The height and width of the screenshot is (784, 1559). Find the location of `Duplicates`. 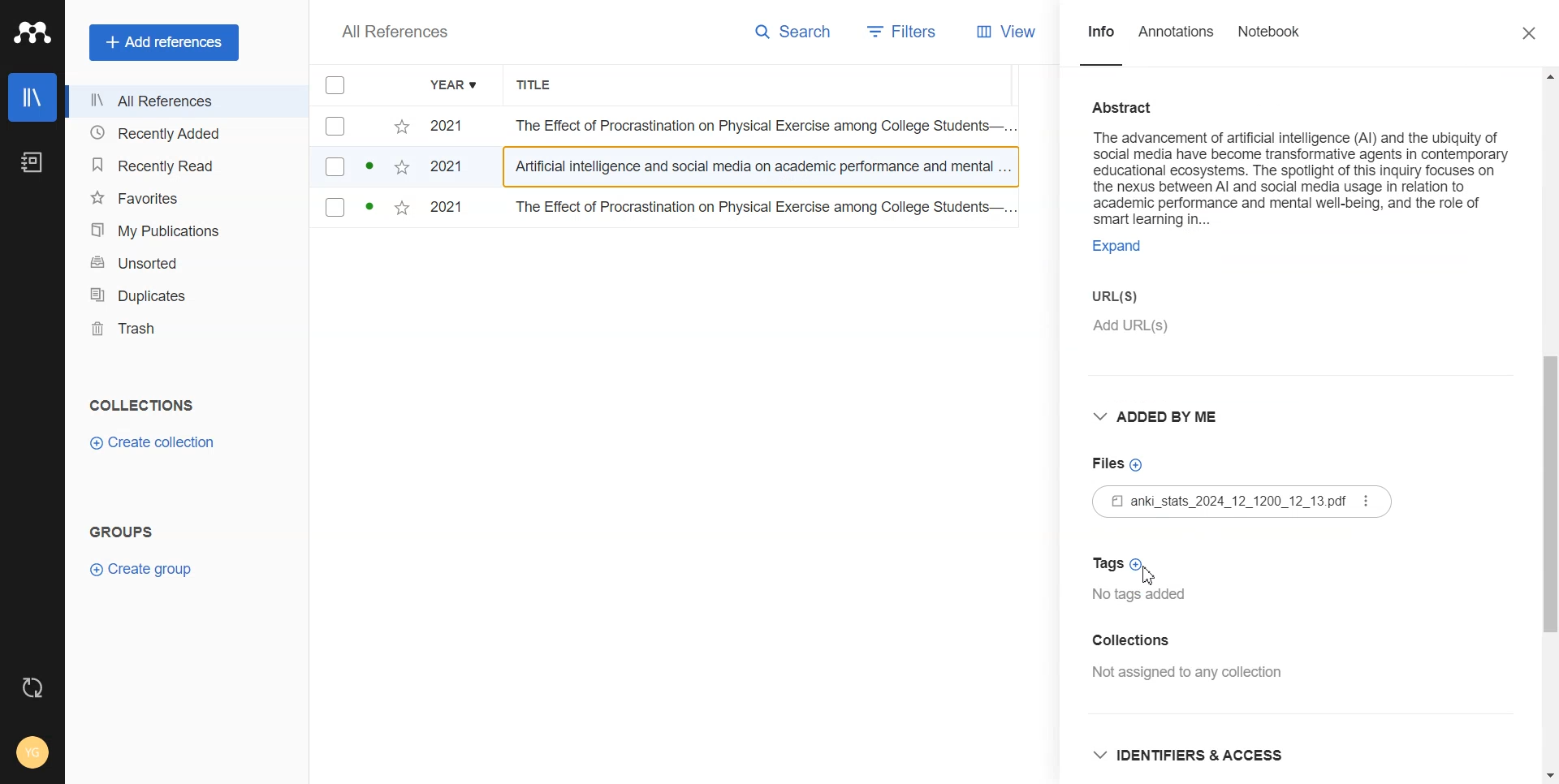

Duplicates is located at coordinates (186, 295).